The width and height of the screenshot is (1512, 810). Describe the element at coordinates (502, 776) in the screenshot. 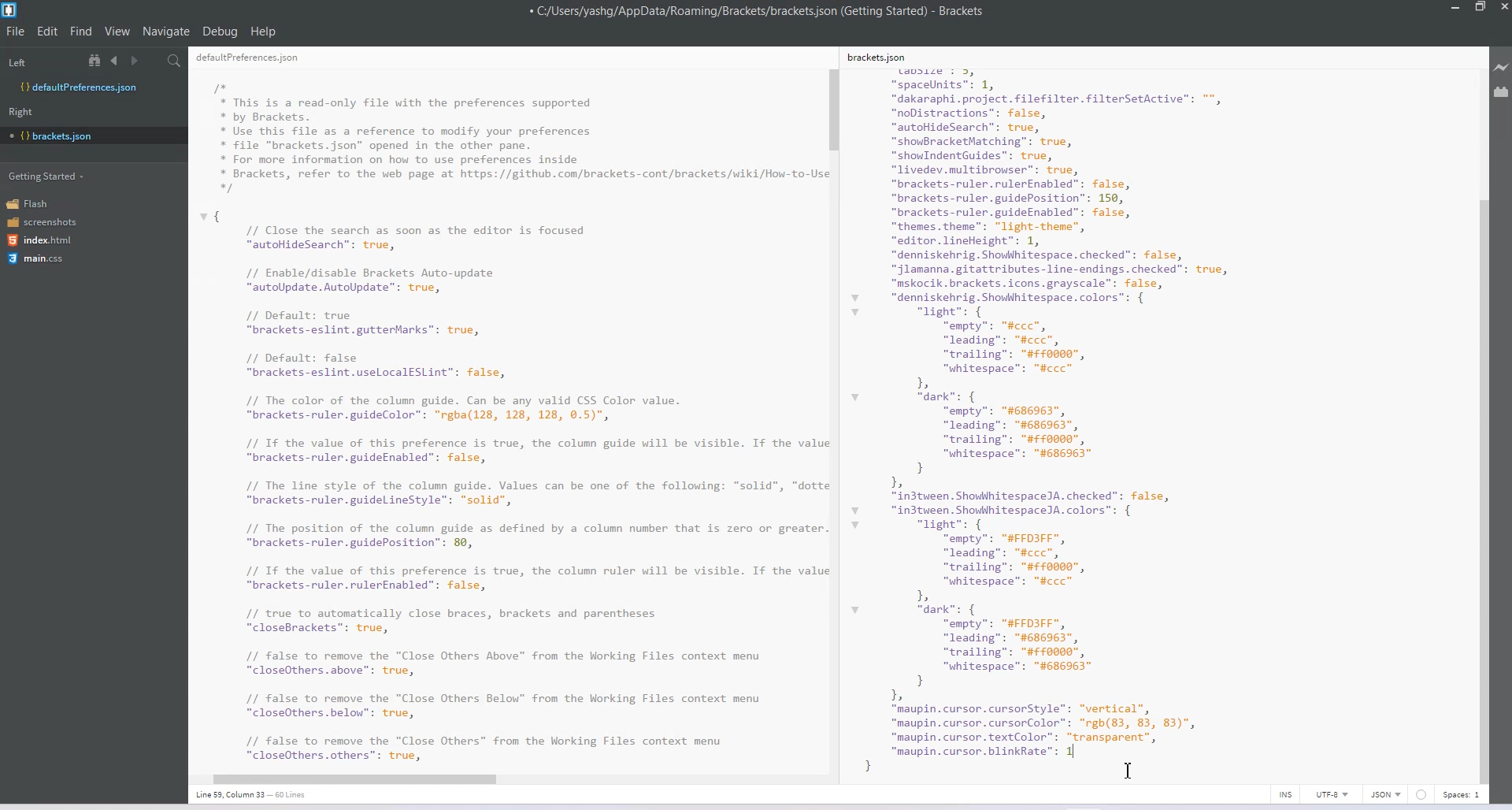

I see `Horizontal Scroll Bar` at that location.